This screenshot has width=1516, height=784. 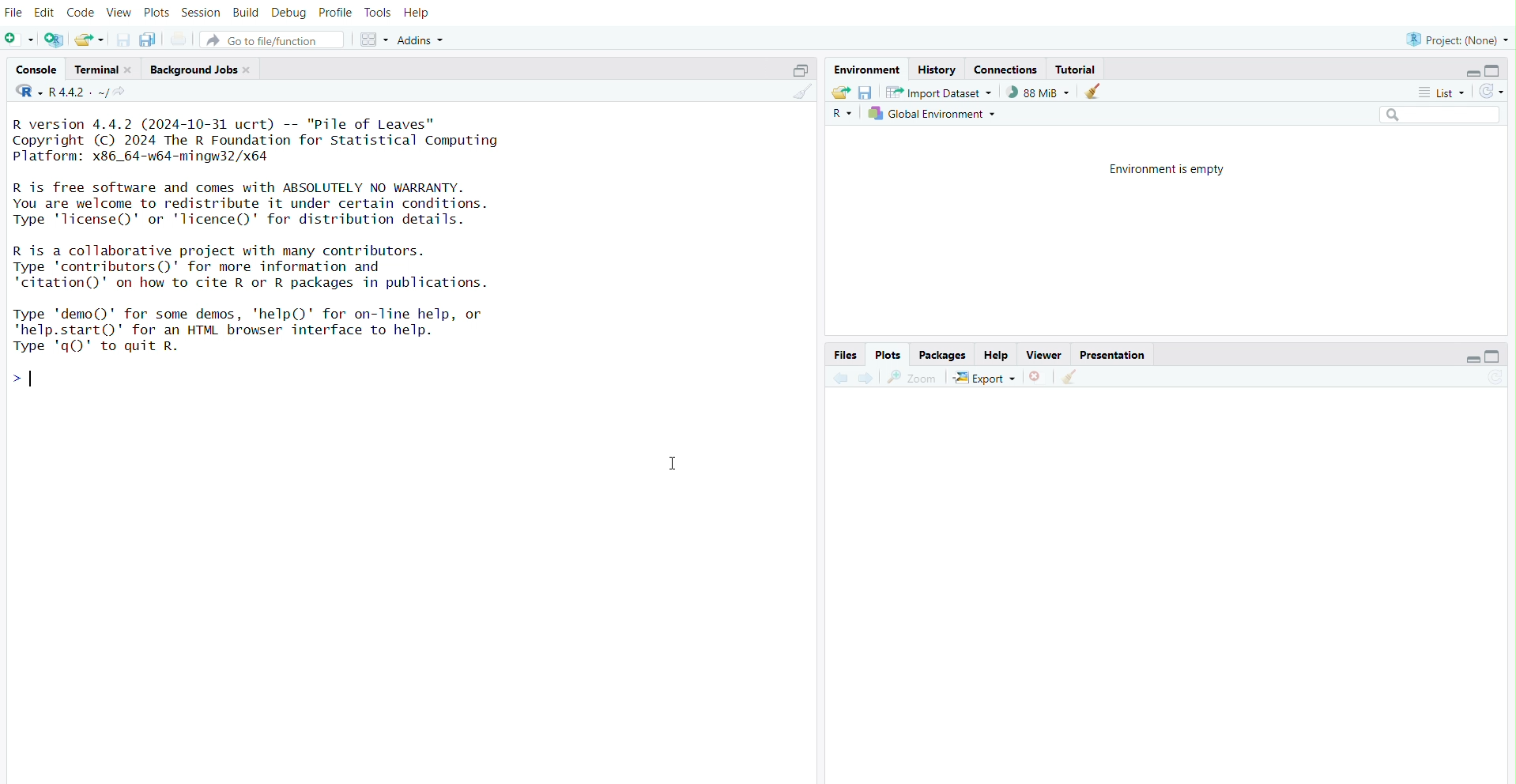 I want to click on terminal, so click(x=92, y=68).